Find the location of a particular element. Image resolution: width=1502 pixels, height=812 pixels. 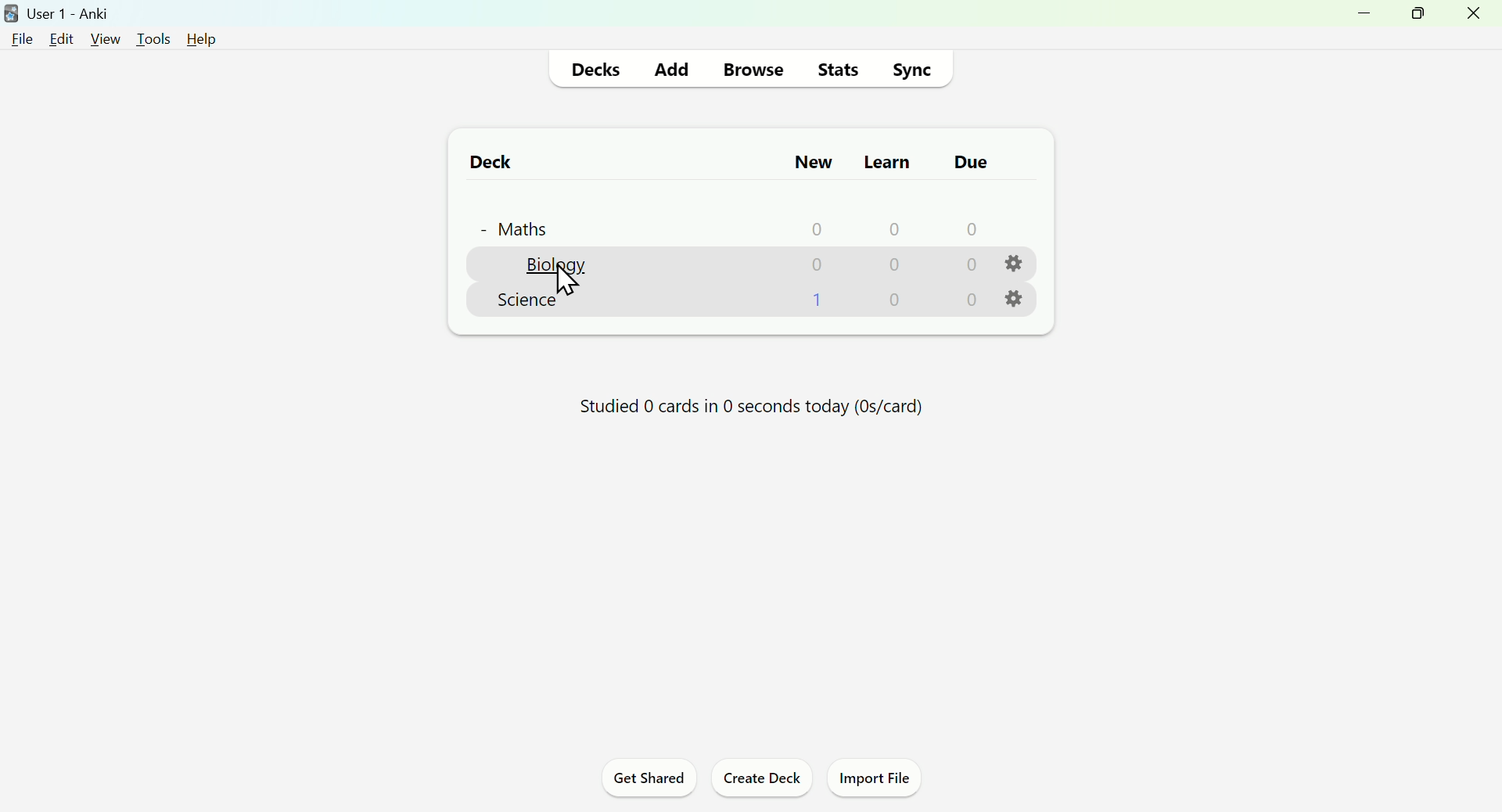

Decks is located at coordinates (599, 68).